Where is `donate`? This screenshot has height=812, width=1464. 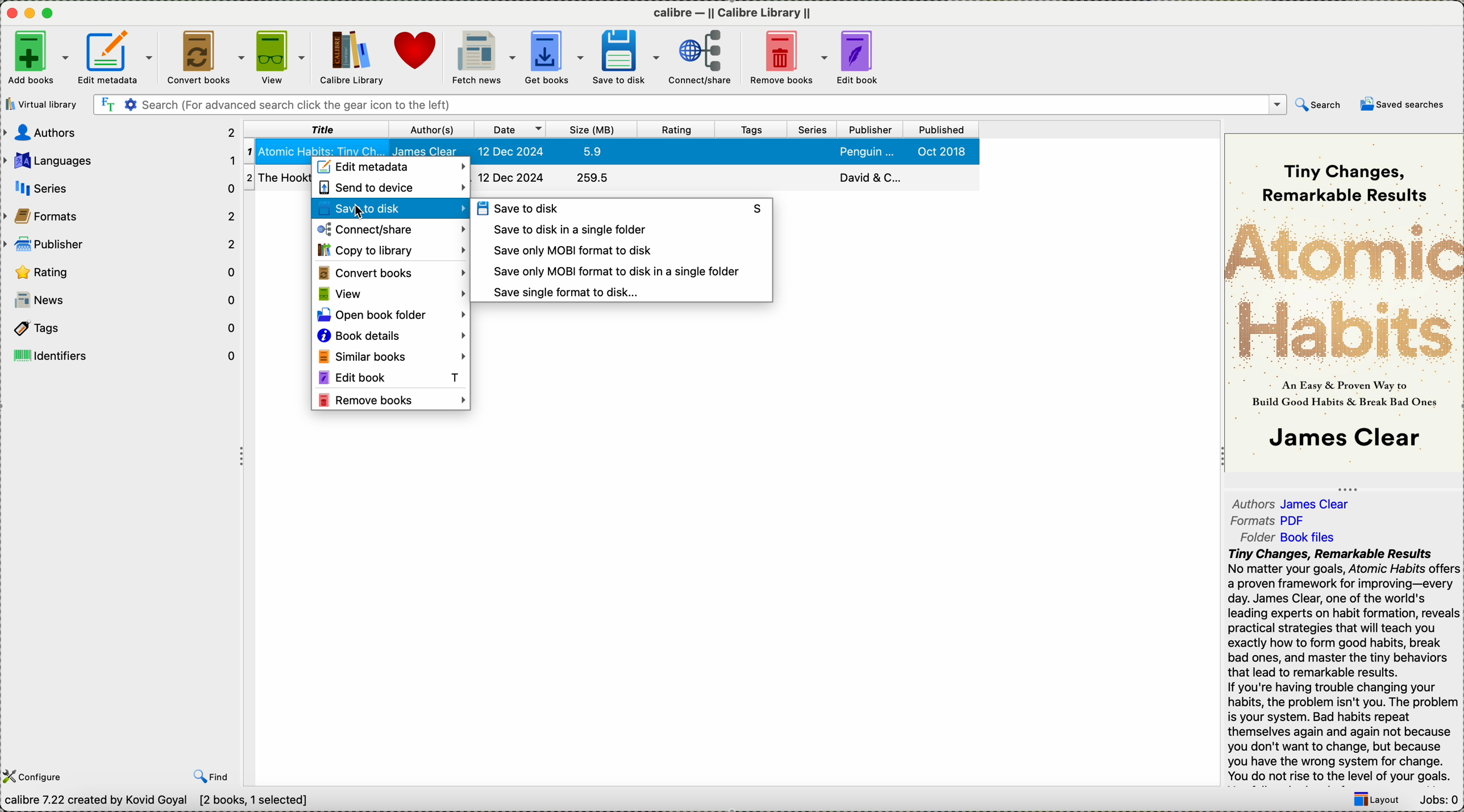 donate is located at coordinates (418, 53).